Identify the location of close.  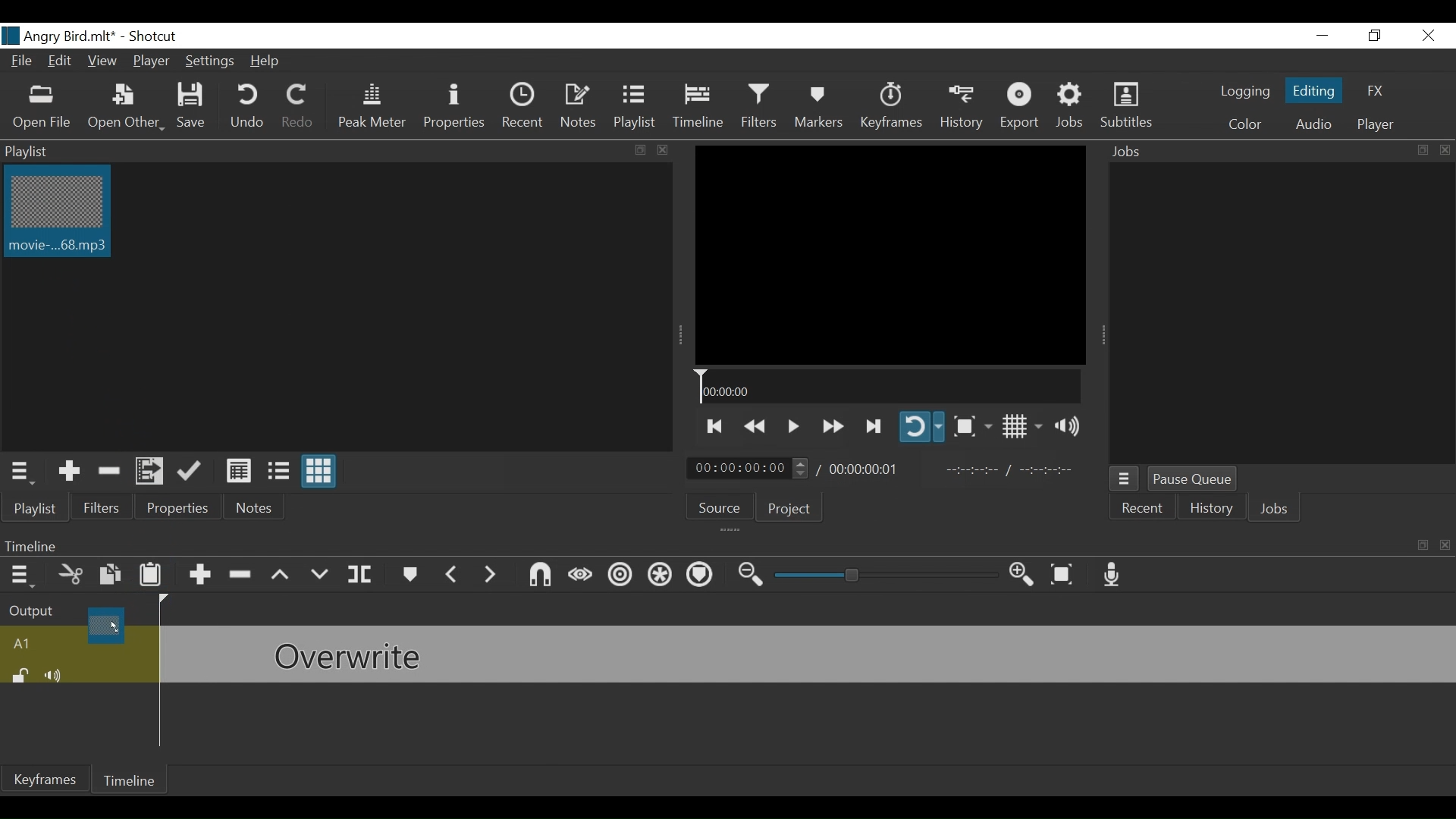
(660, 149).